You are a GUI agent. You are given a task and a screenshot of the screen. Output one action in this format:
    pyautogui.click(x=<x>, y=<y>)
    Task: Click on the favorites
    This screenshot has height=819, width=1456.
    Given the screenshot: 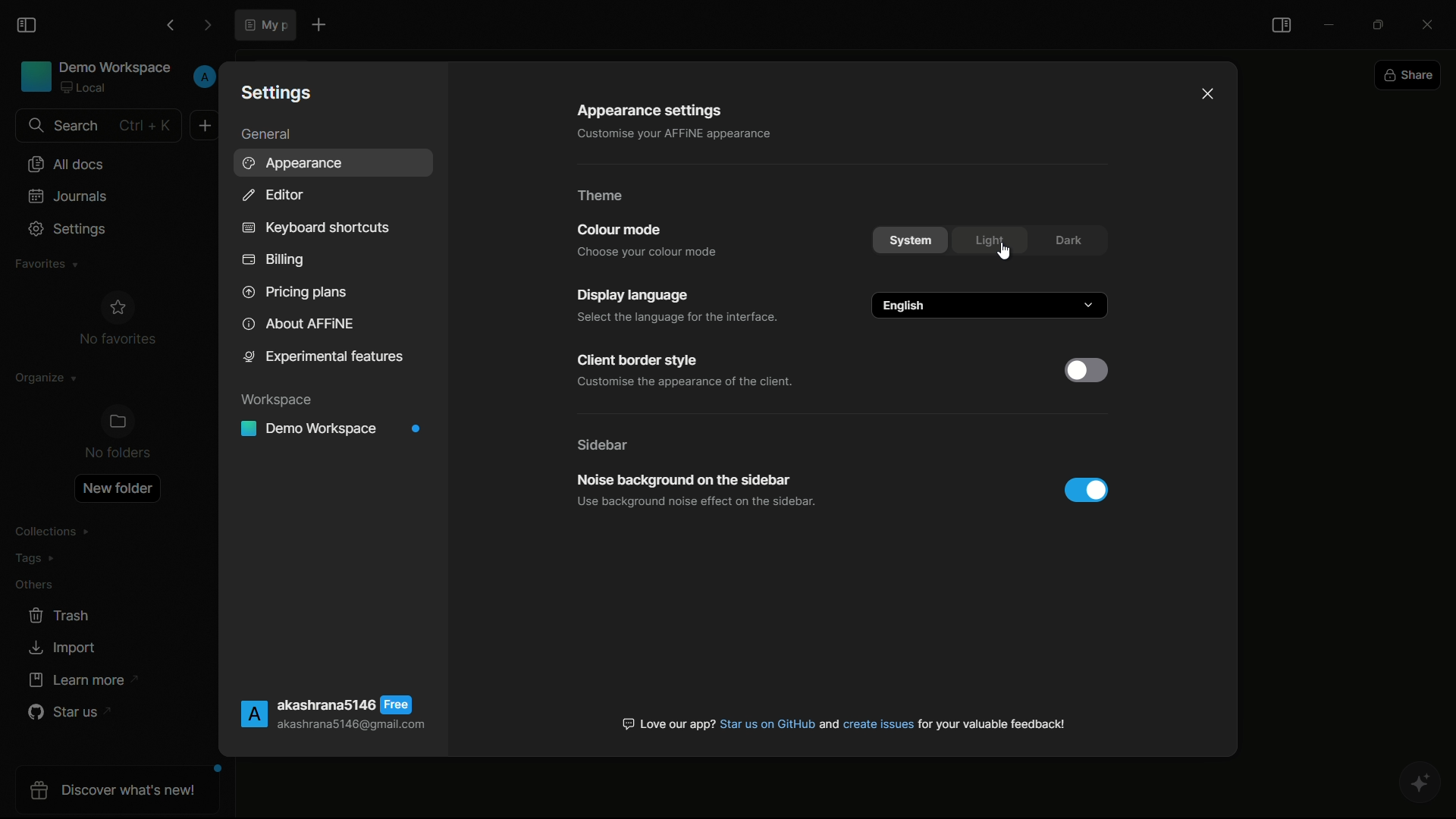 What is the action you would take?
    pyautogui.click(x=43, y=265)
    